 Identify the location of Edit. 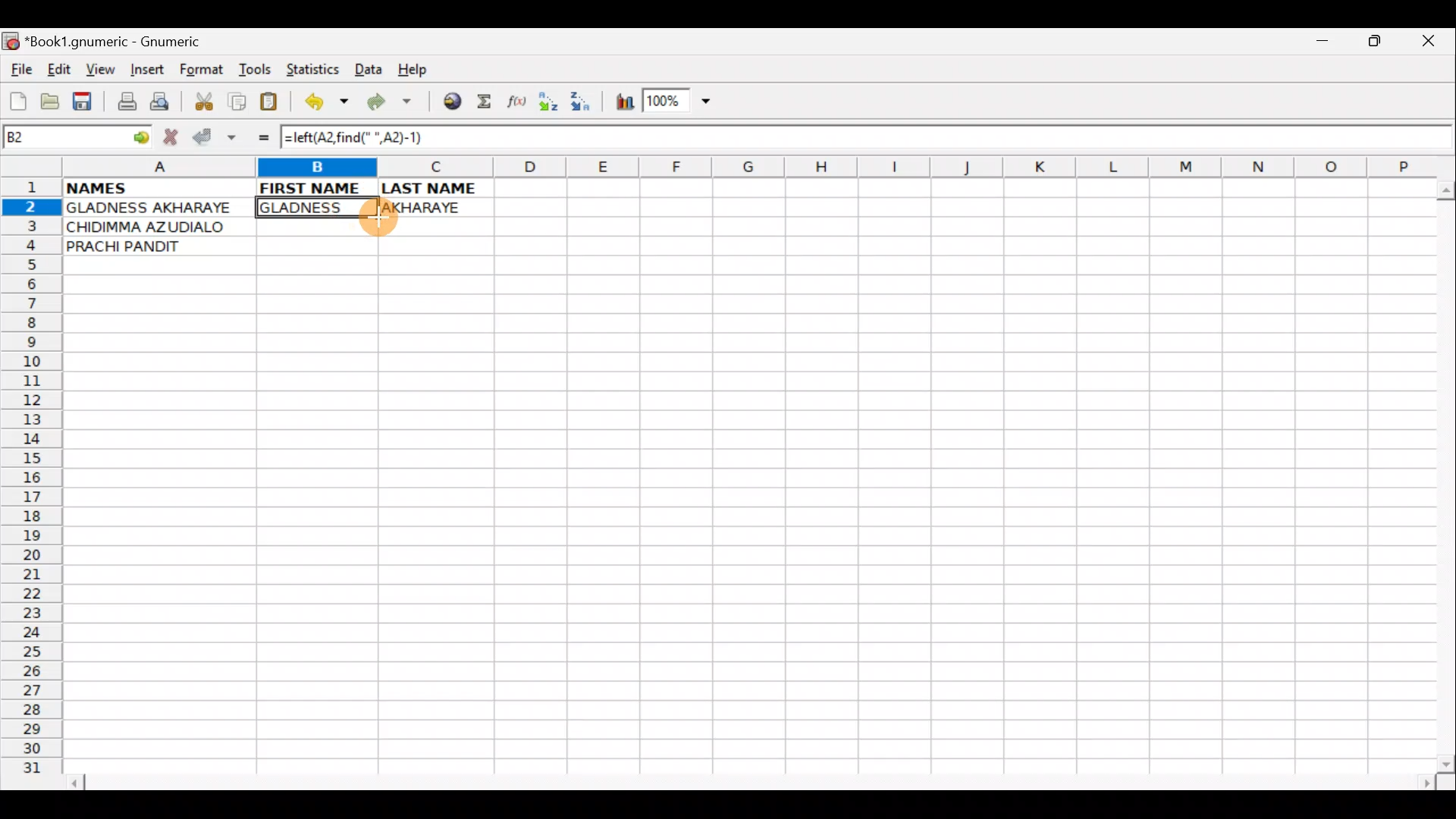
(58, 69).